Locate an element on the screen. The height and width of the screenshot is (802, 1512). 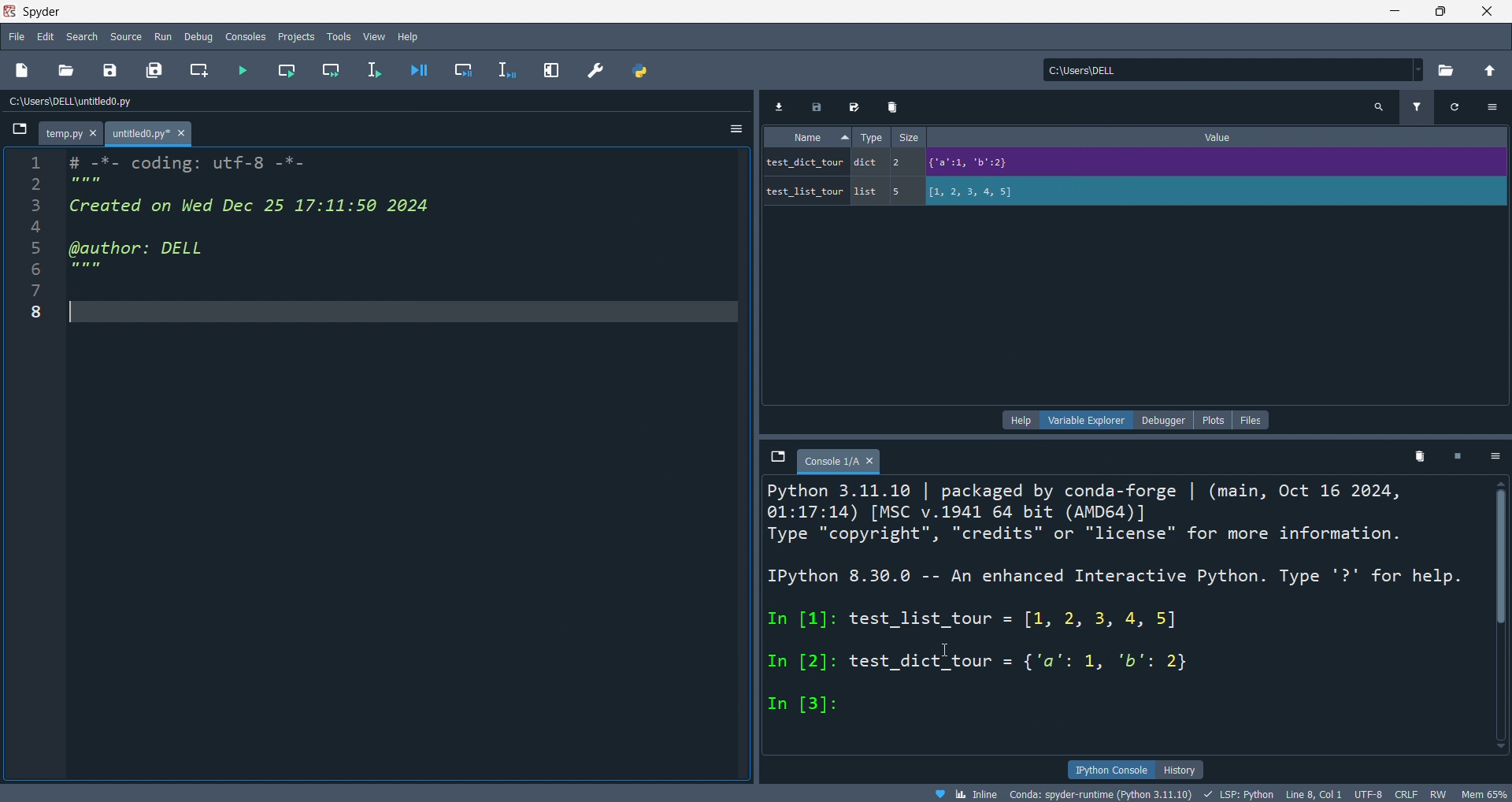
LSP Python is located at coordinates (1236, 793).